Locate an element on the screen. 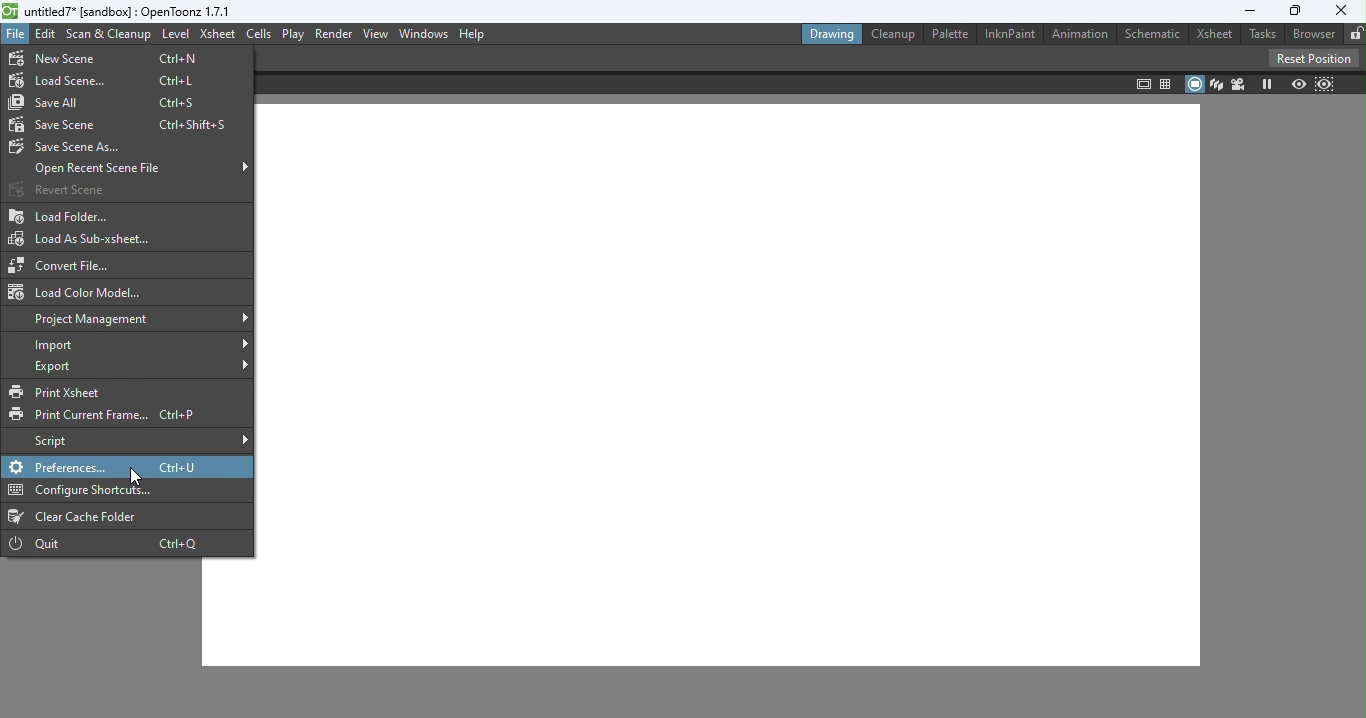  Configure shortcuts is located at coordinates (66, 492).